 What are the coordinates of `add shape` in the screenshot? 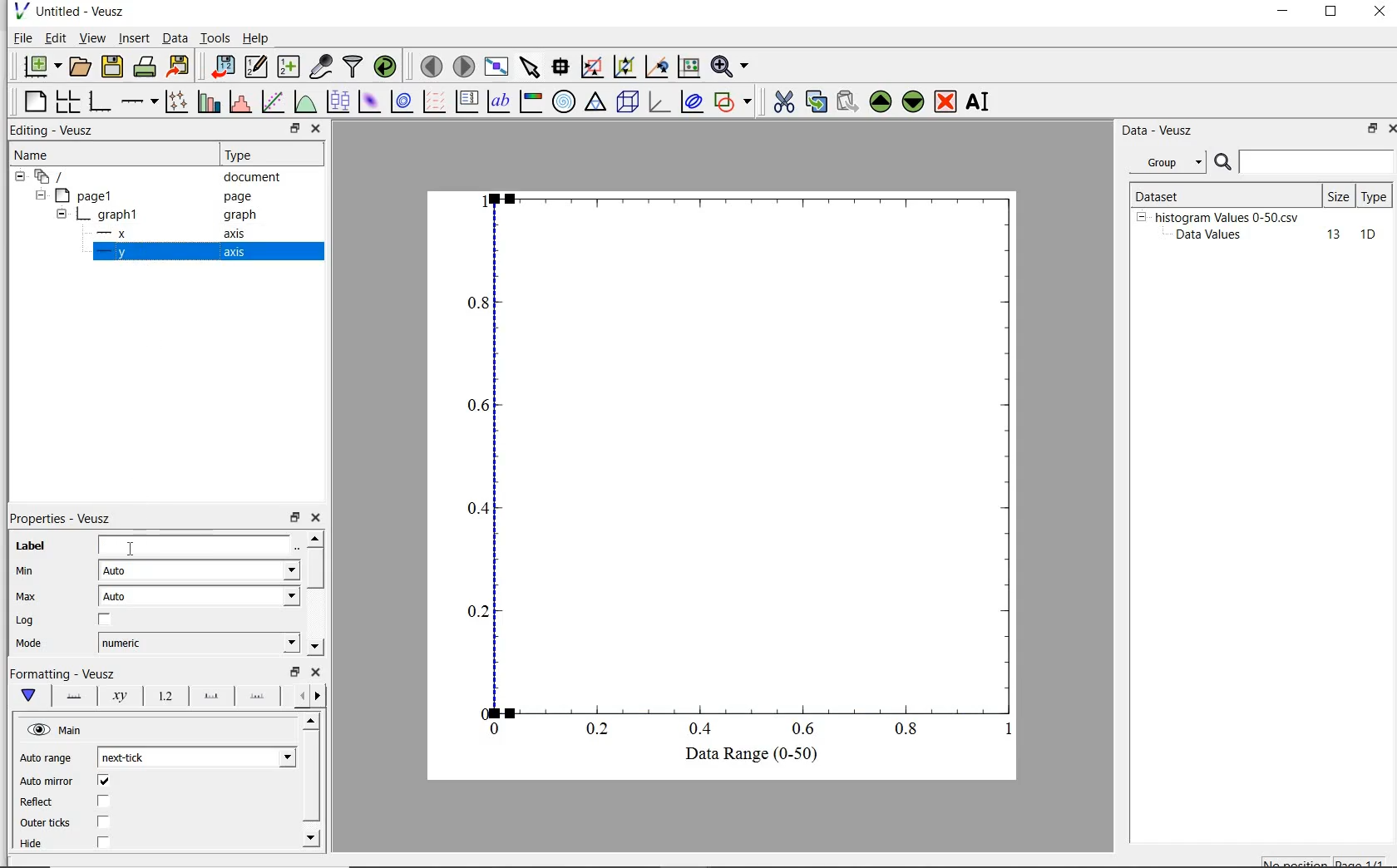 It's located at (733, 103).